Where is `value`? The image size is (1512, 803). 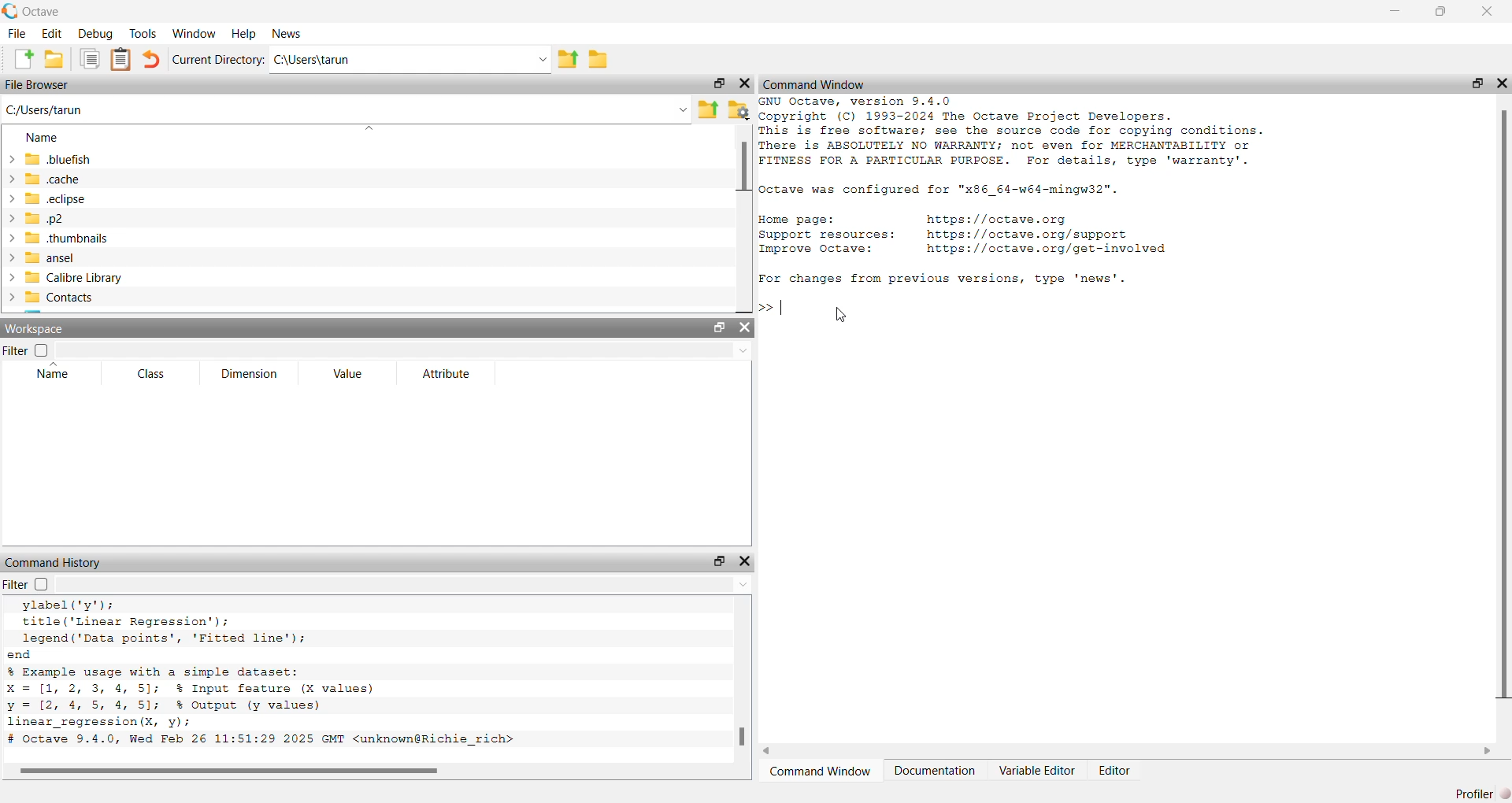
value is located at coordinates (345, 373).